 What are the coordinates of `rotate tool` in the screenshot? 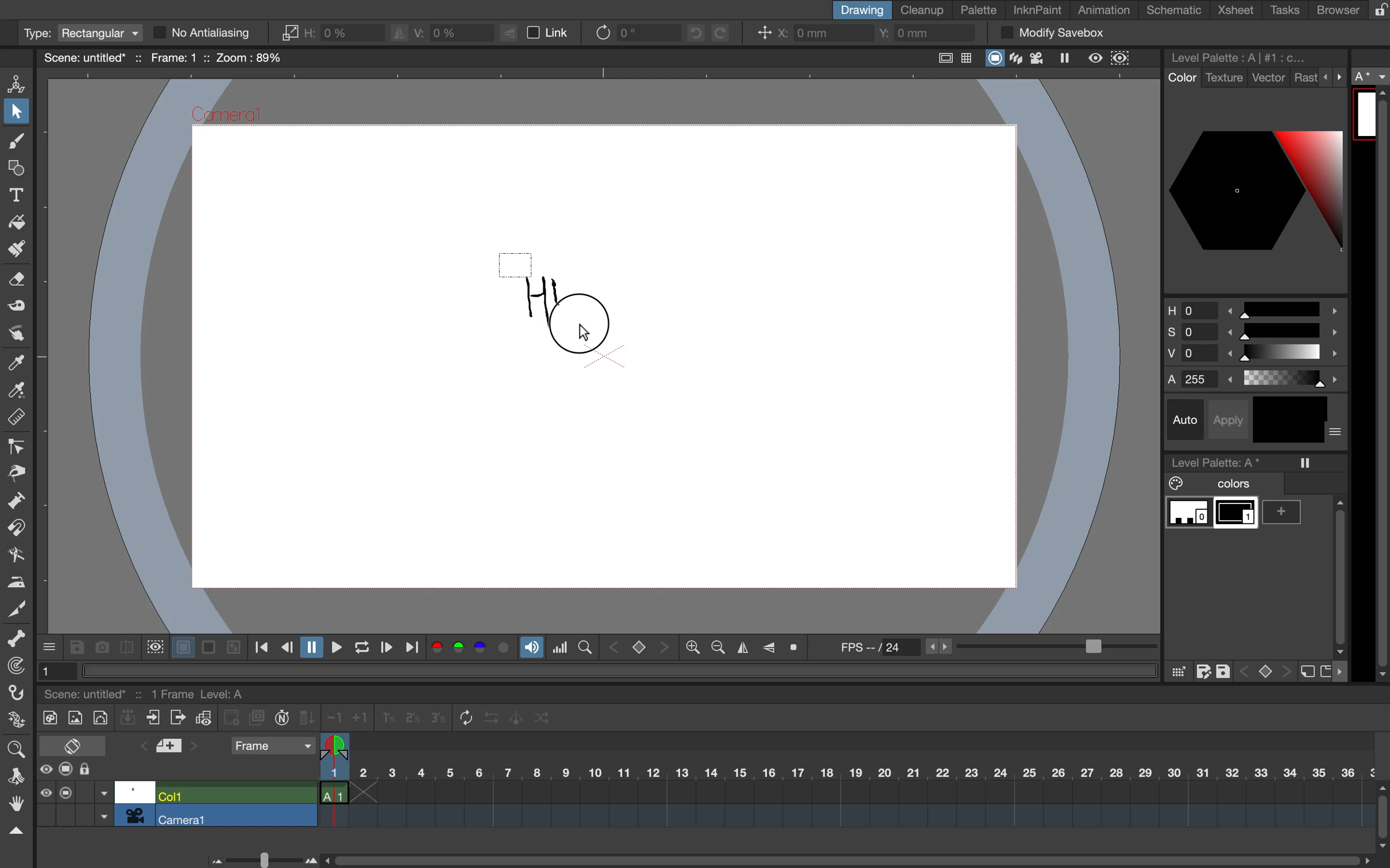 It's located at (12, 774).